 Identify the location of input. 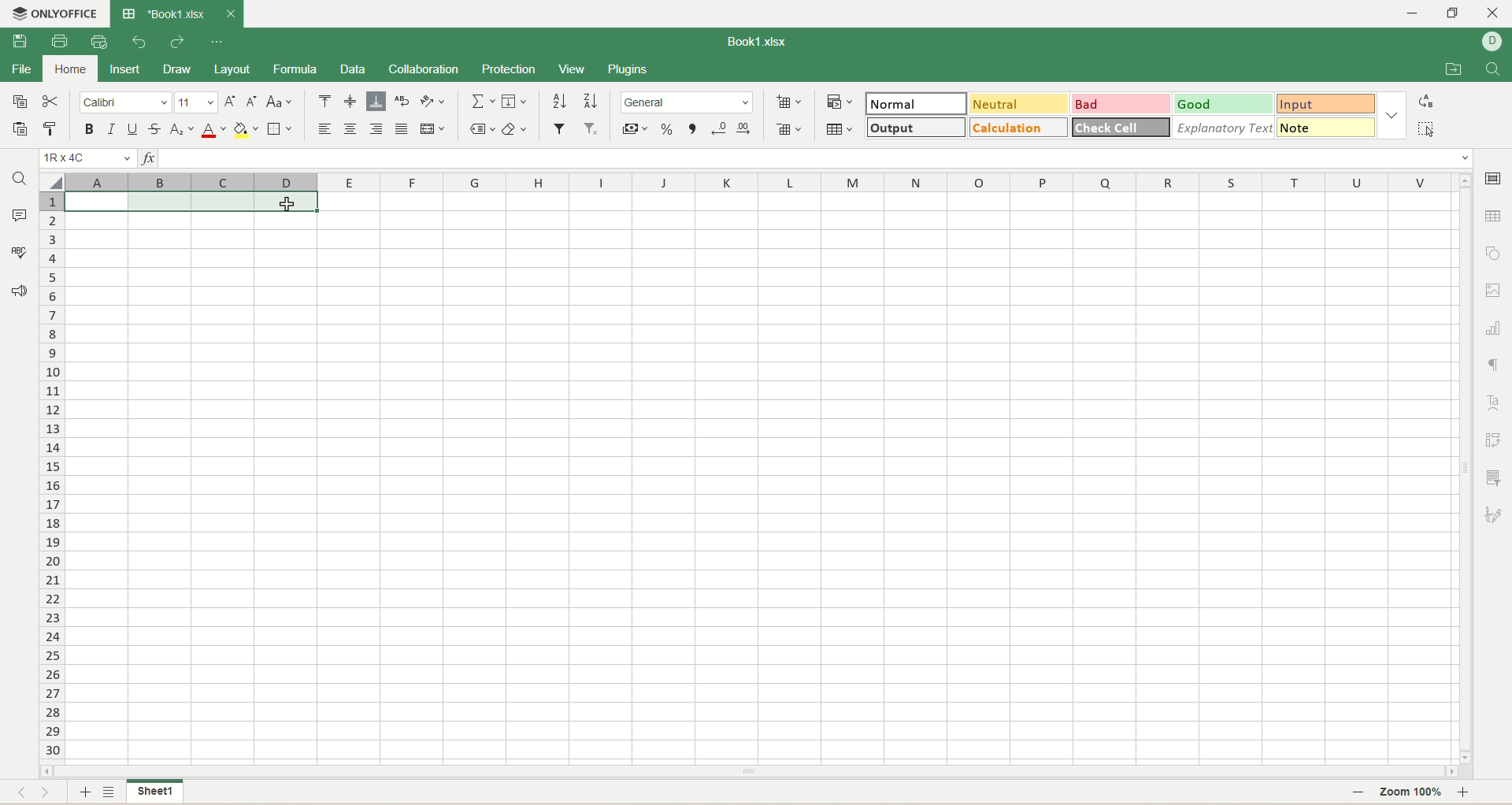
(1326, 105).